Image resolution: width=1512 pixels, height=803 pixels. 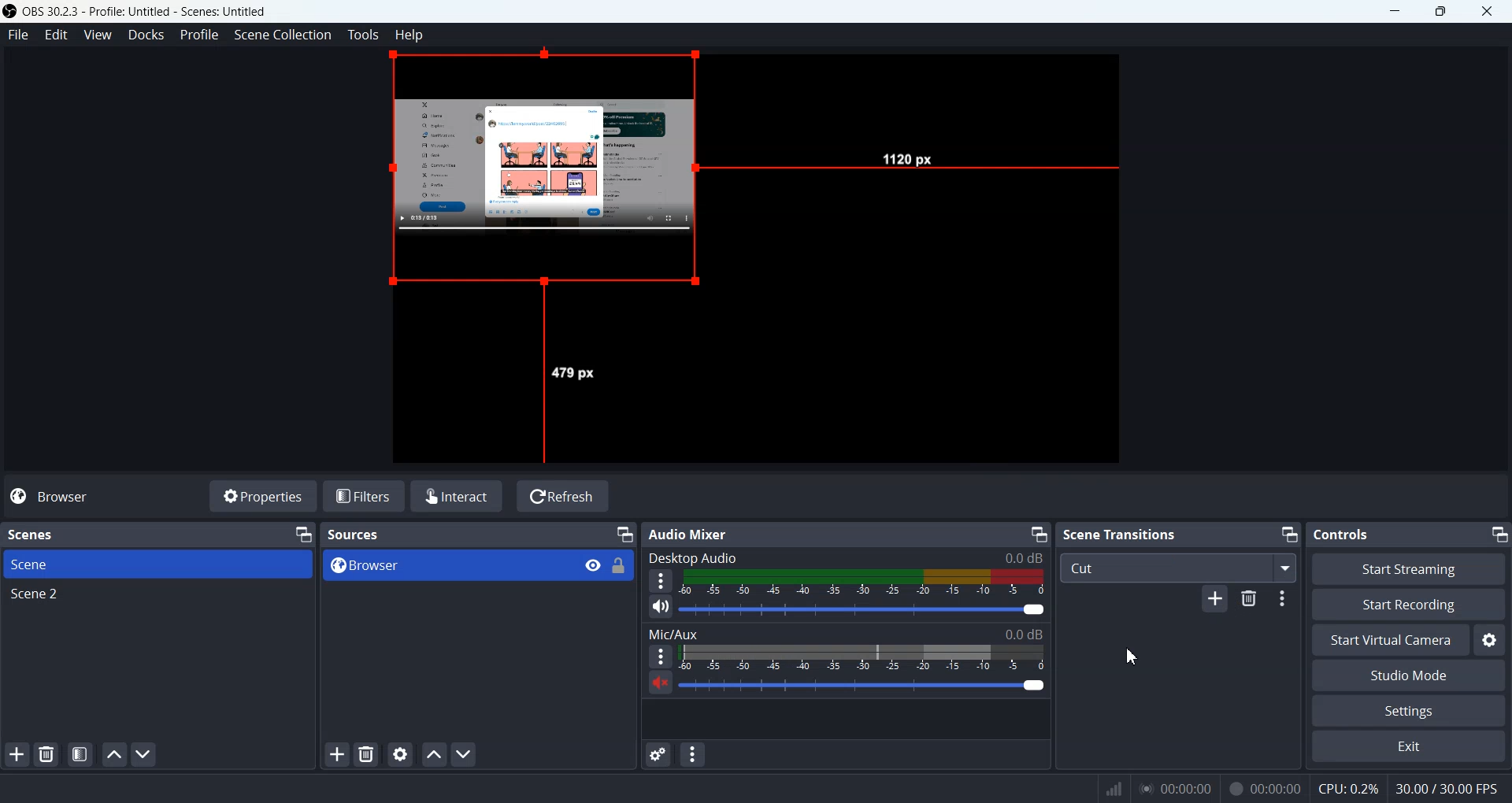 What do you see at coordinates (364, 35) in the screenshot?
I see `Tools` at bounding box center [364, 35].